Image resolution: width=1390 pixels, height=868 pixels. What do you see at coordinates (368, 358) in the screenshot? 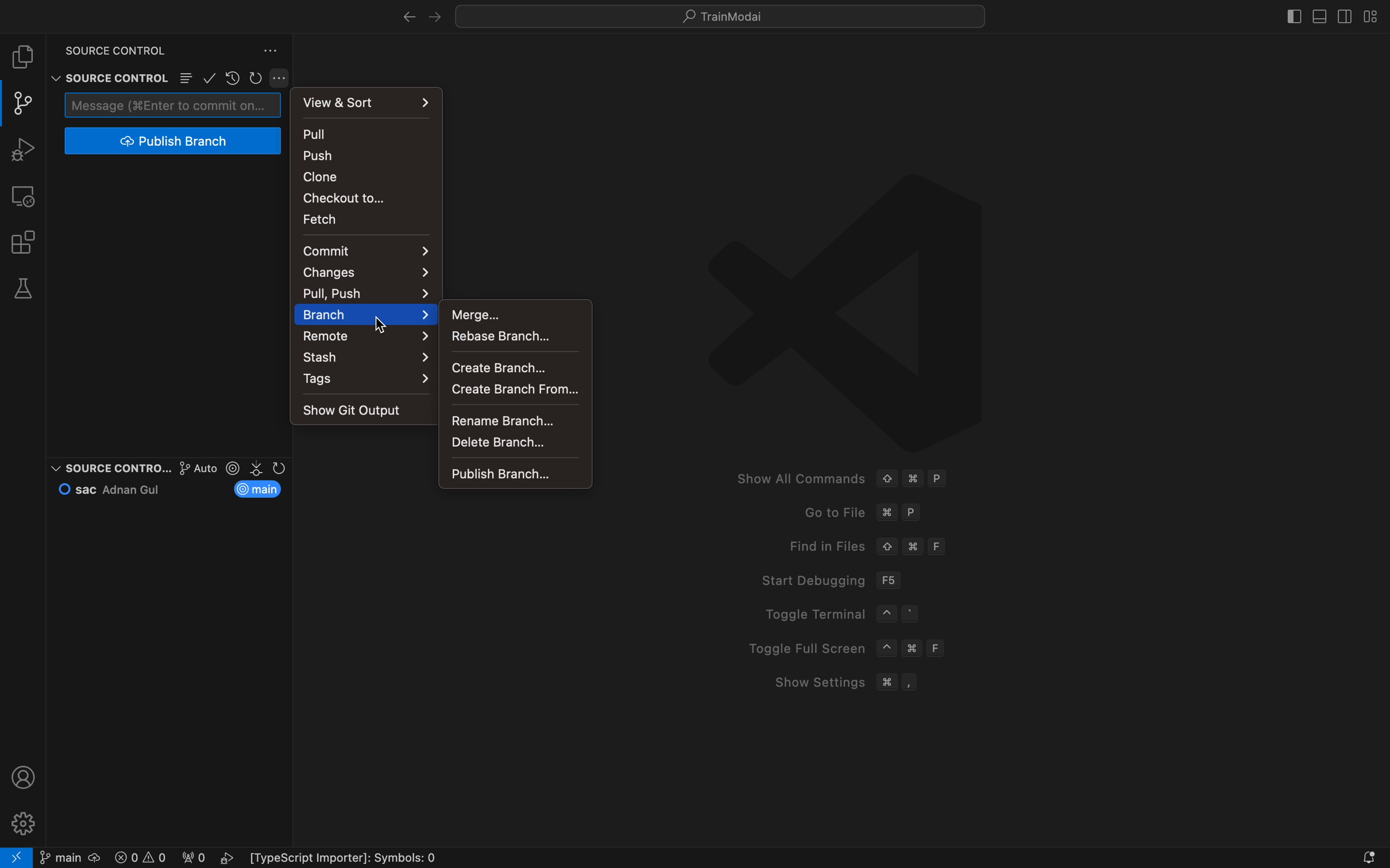
I see `stash` at bounding box center [368, 358].